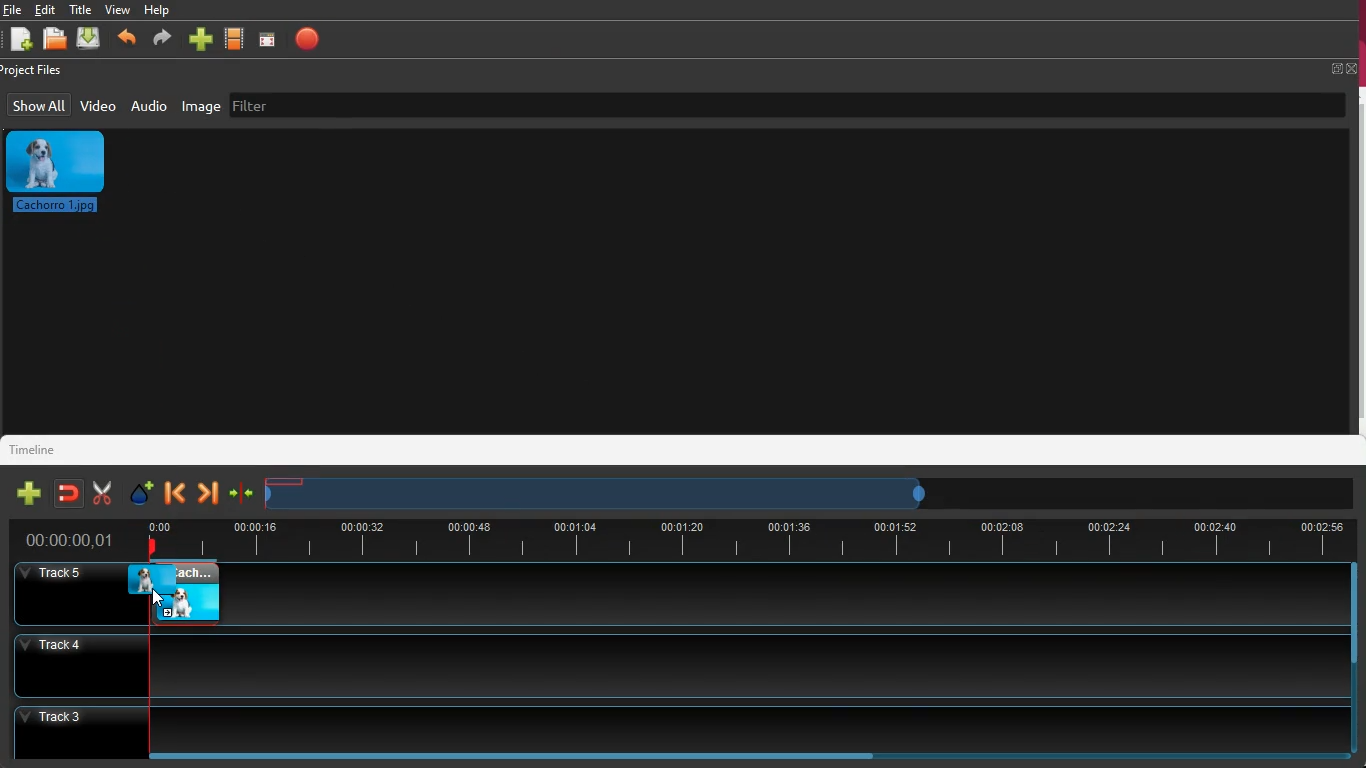 Image resolution: width=1366 pixels, height=768 pixels. What do you see at coordinates (237, 38) in the screenshot?
I see `movie` at bounding box center [237, 38].